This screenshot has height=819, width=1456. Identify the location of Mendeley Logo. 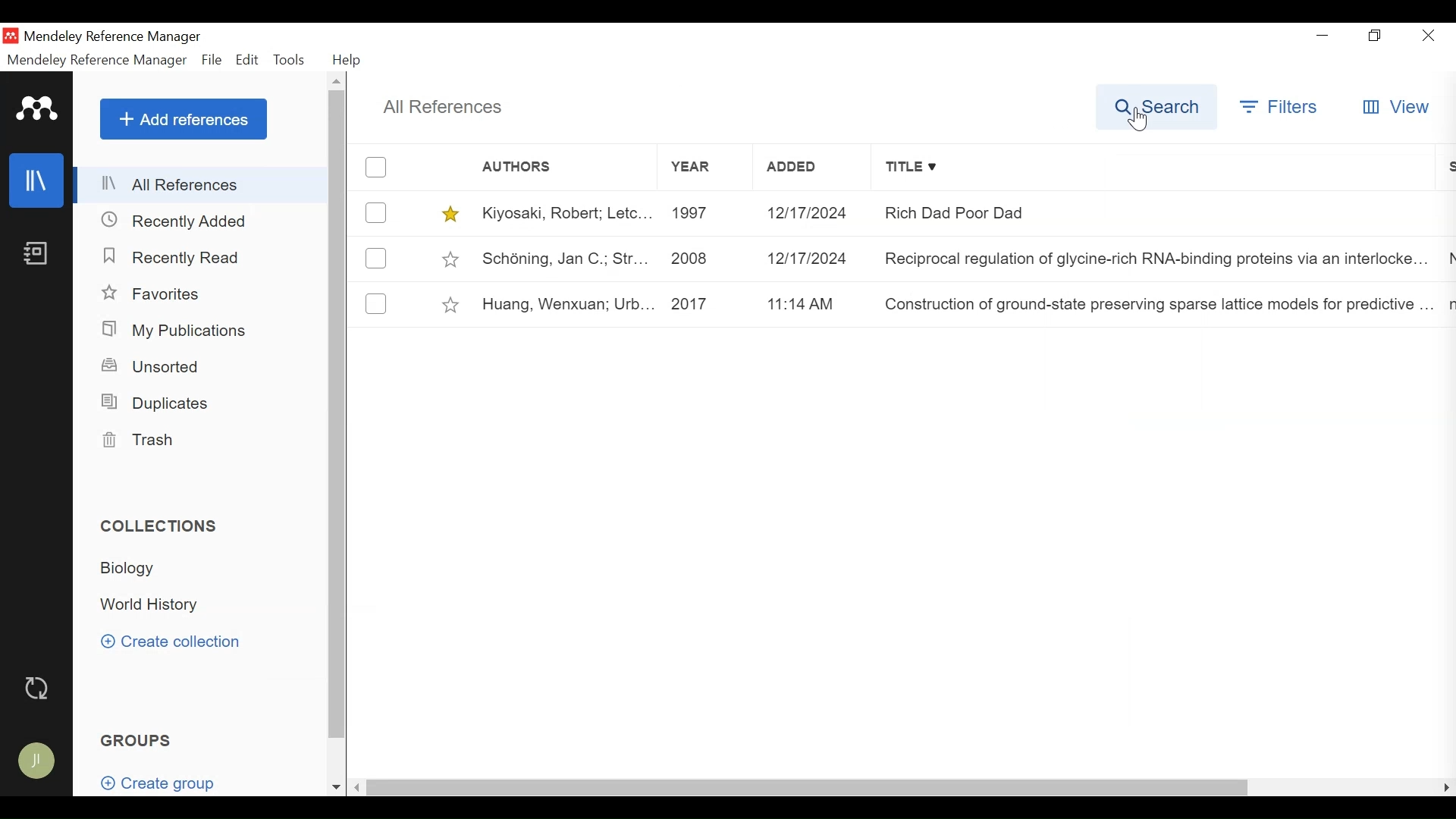
(38, 108).